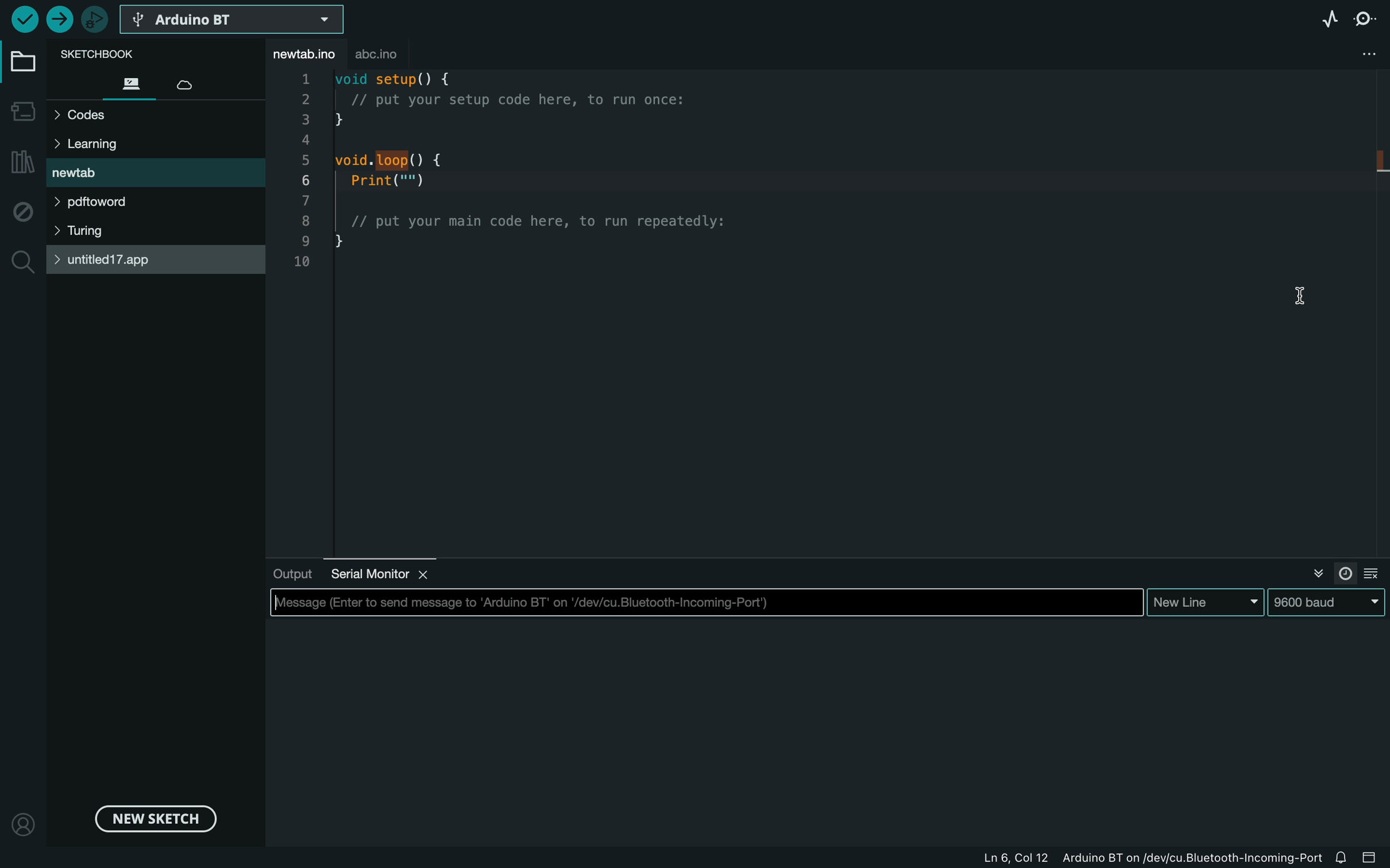 Image resolution: width=1390 pixels, height=868 pixels. I want to click on serial monitor, so click(395, 573).